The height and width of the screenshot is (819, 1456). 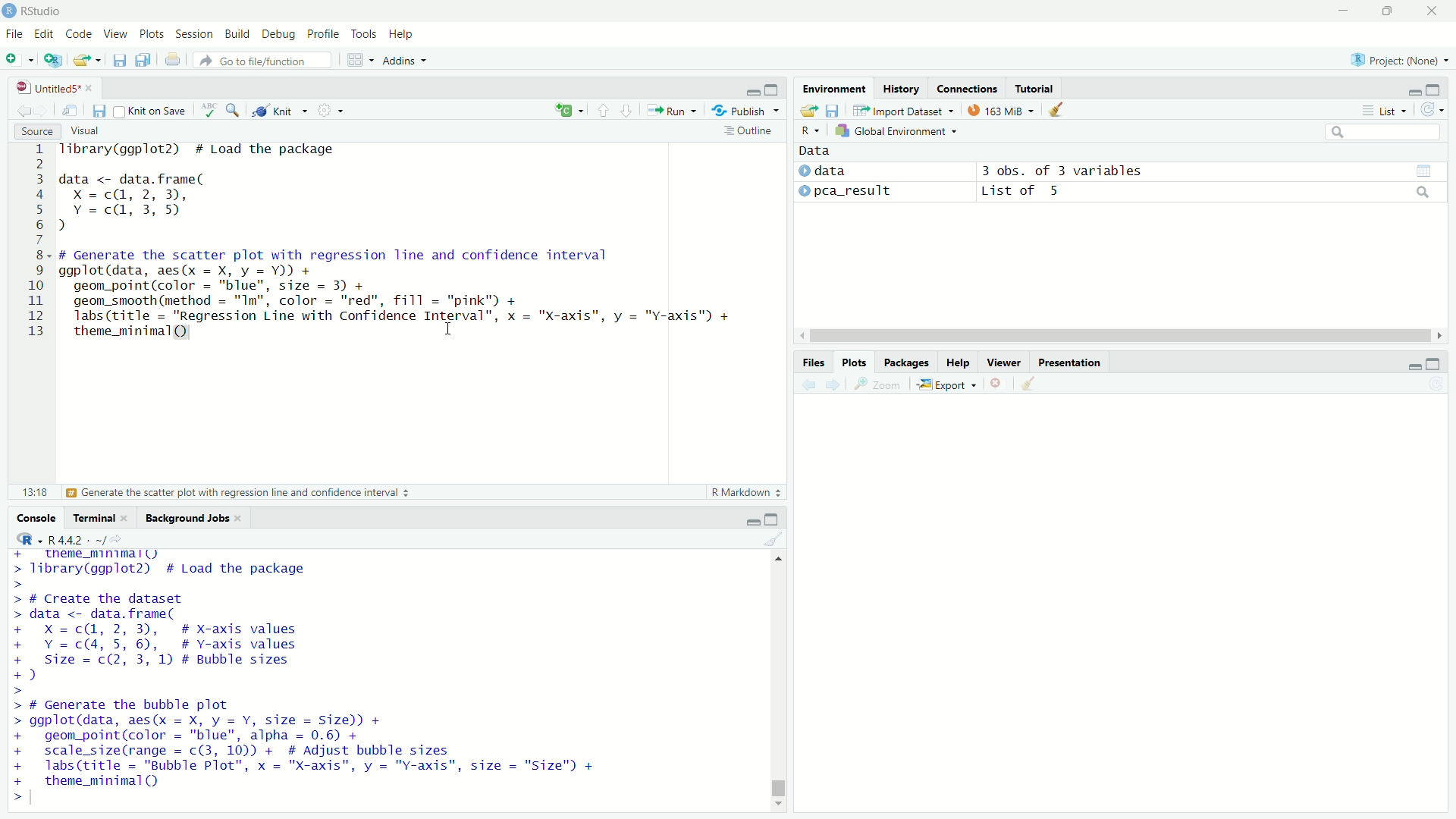 I want to click on expand, so click(x=1433, y=89).